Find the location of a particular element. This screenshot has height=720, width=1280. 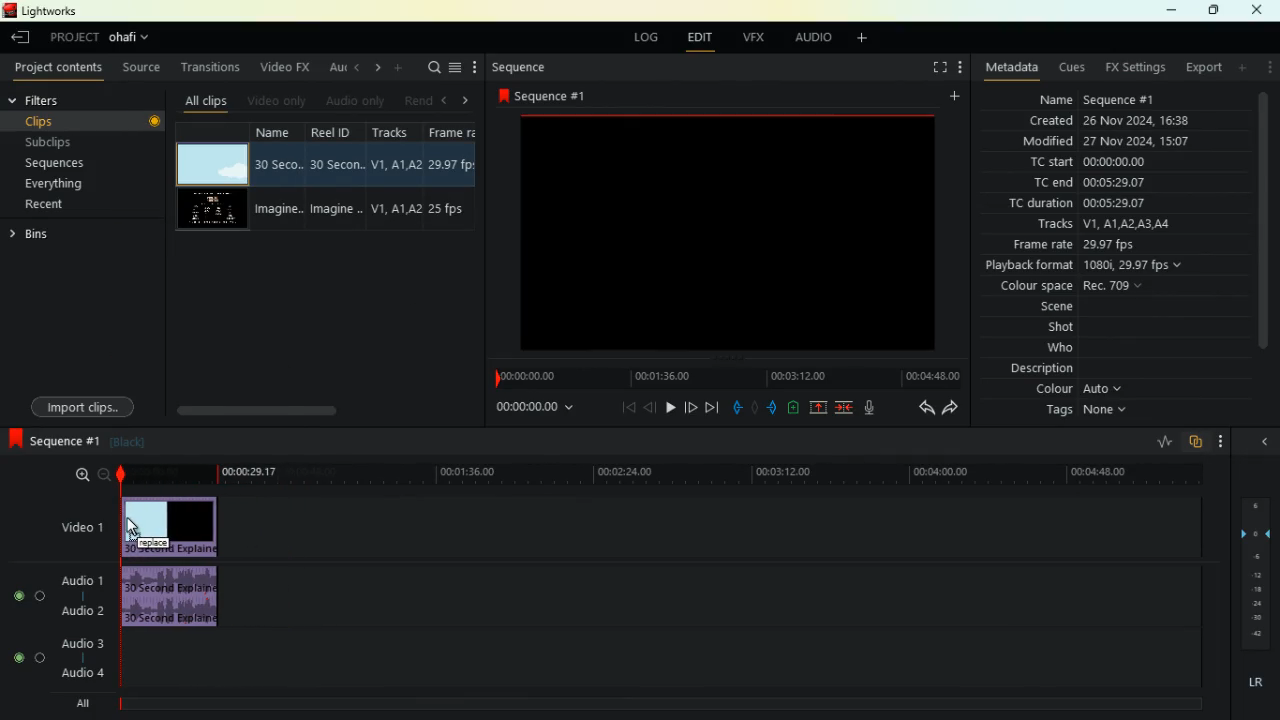

name is located at coordinates (279, 131).